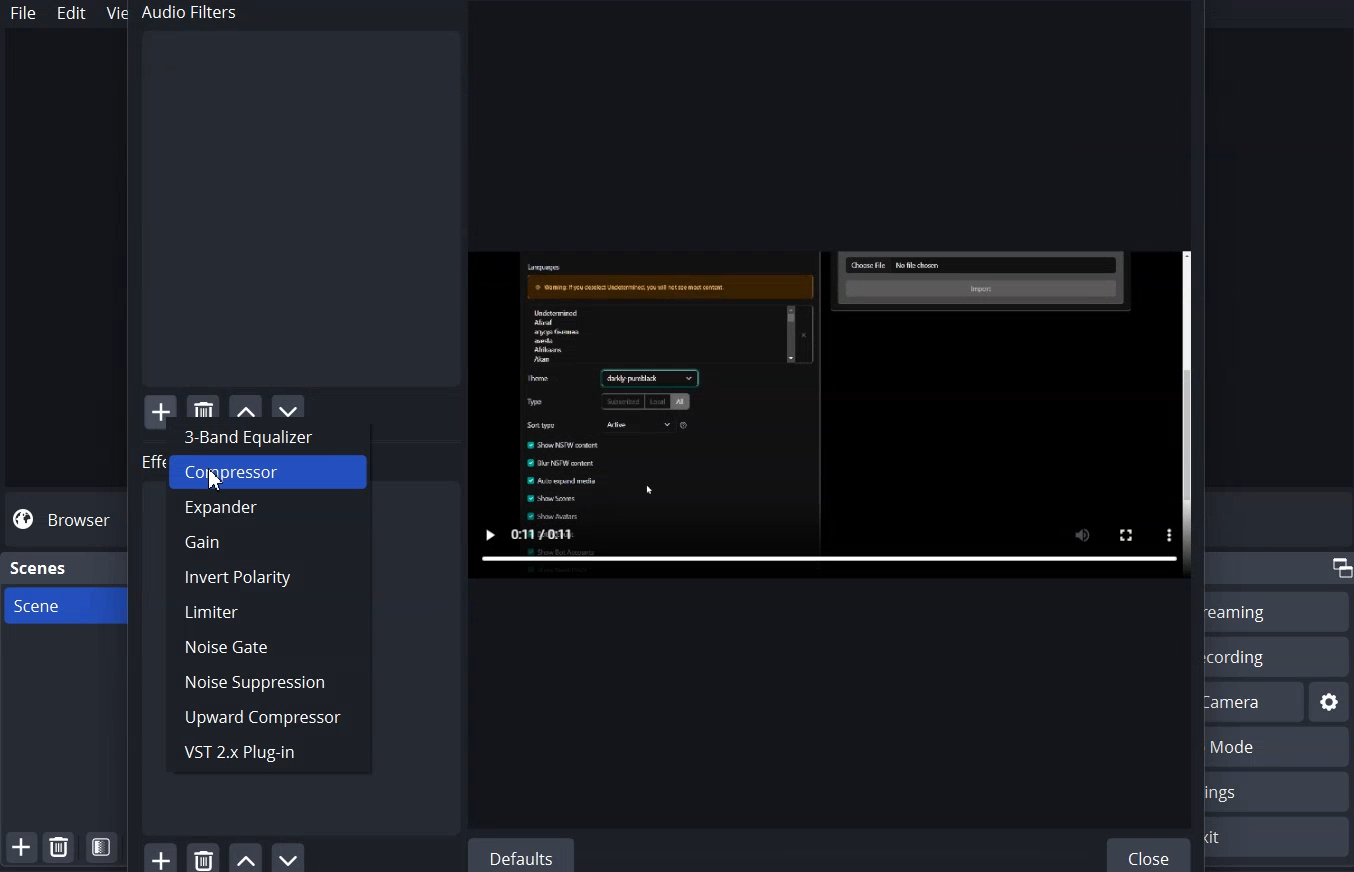 The height and width of the screenshot is (872, 1354). I want to click on cursor, so click(219, 479).